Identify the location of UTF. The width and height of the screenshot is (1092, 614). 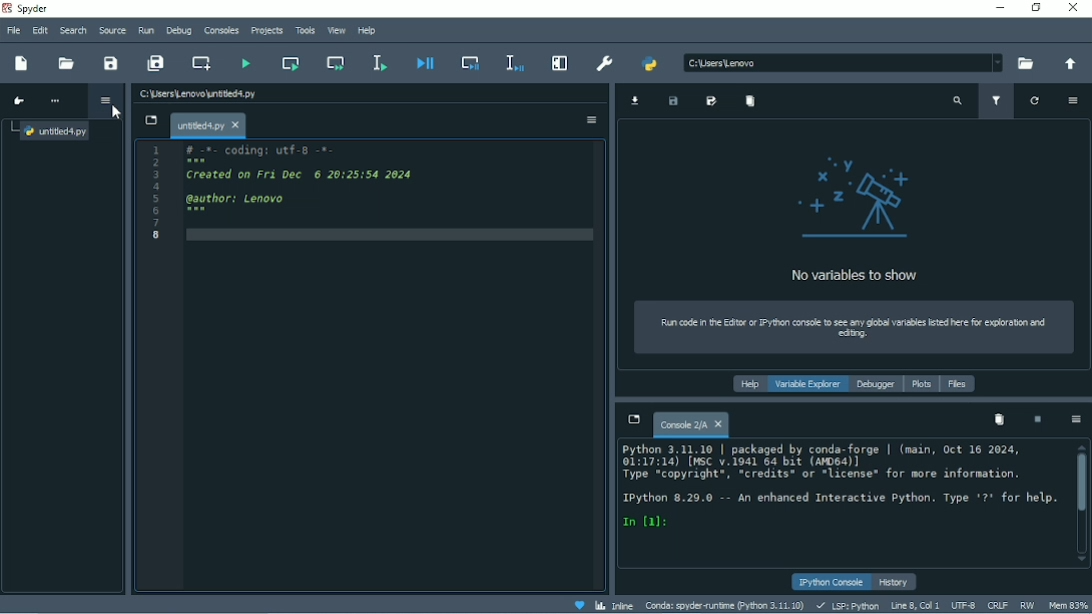
(964, 606).